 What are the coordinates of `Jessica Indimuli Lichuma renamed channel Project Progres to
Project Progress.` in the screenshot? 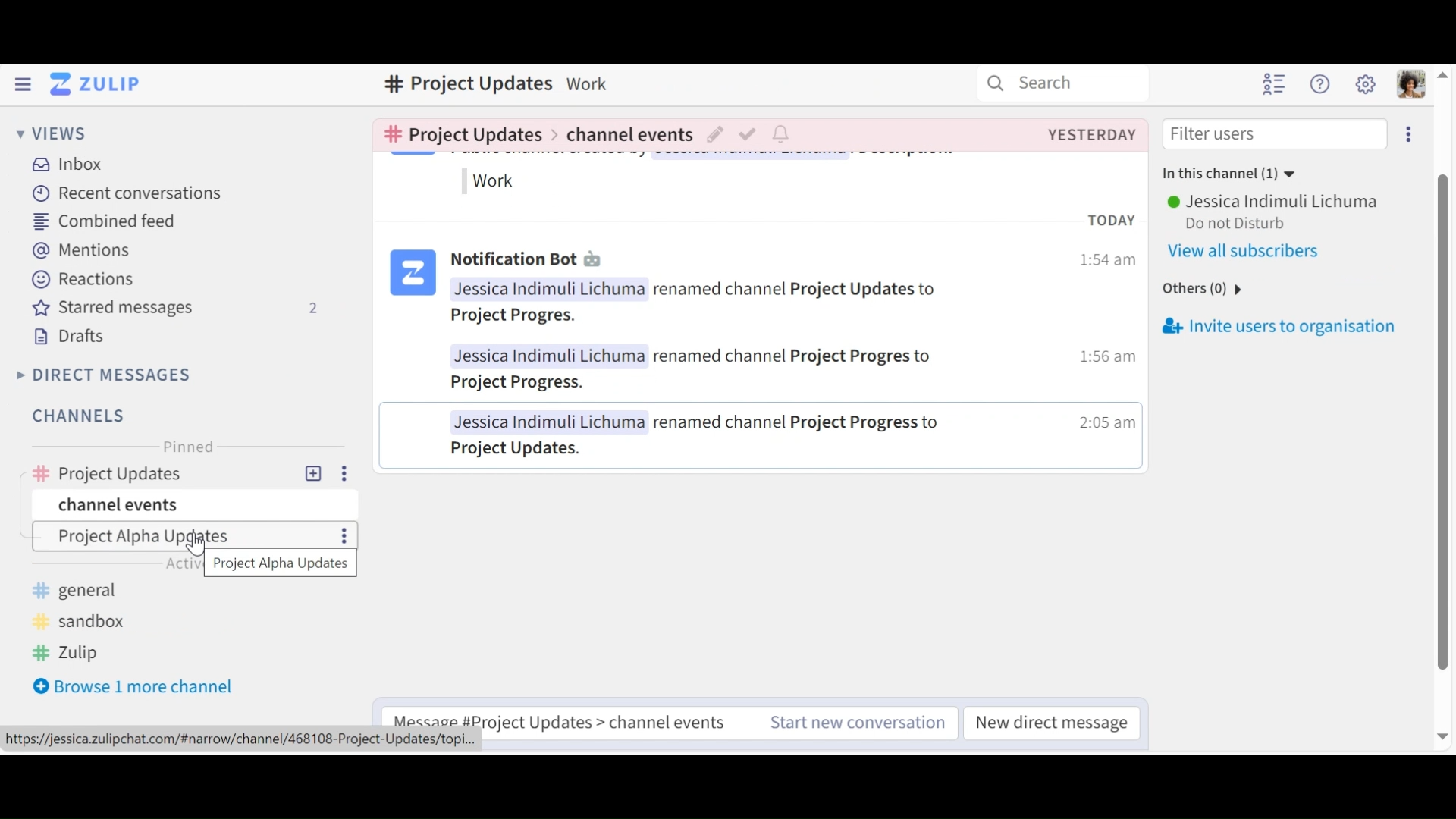 It's located at (706, 368).